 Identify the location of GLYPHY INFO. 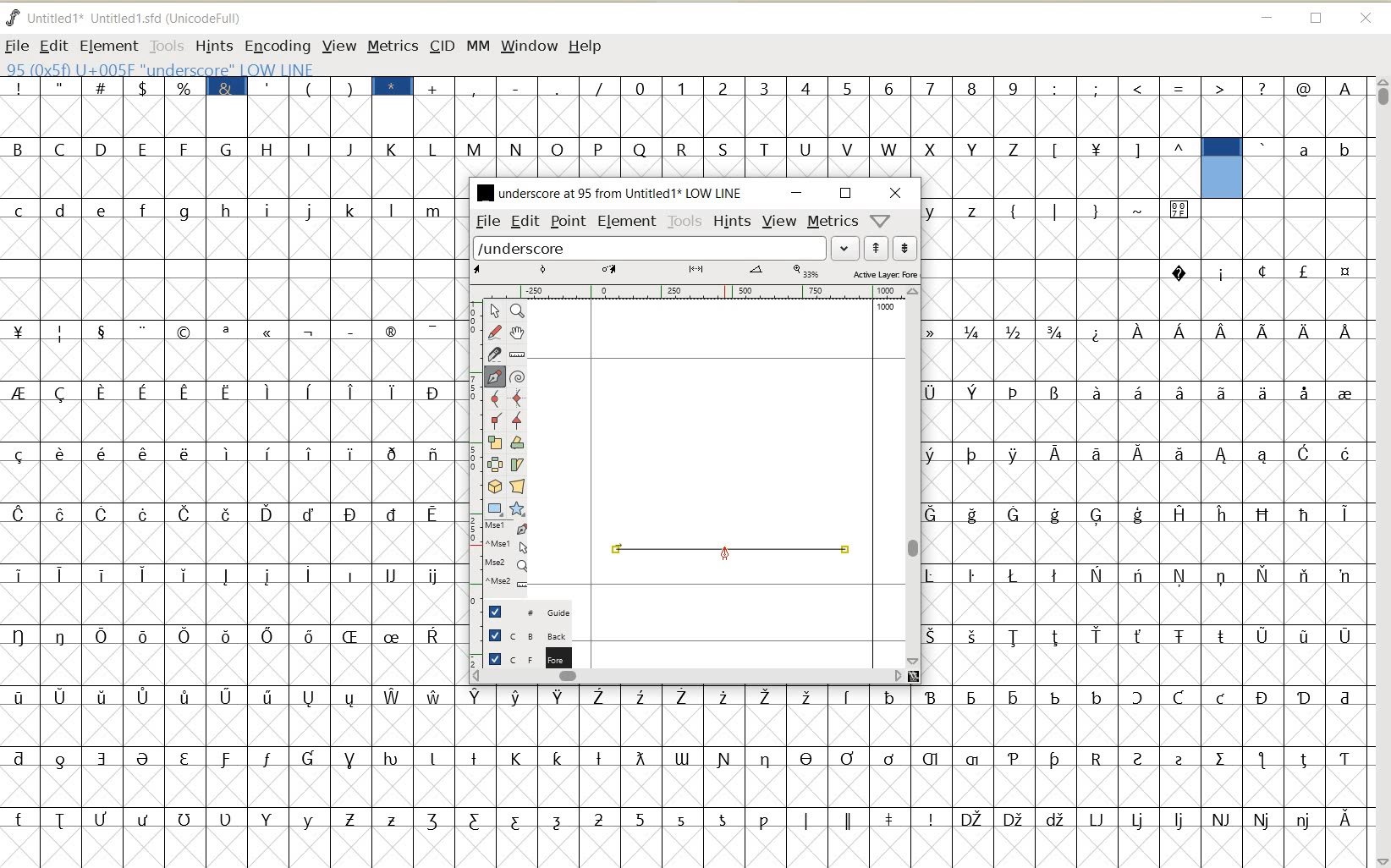
(264, 68).